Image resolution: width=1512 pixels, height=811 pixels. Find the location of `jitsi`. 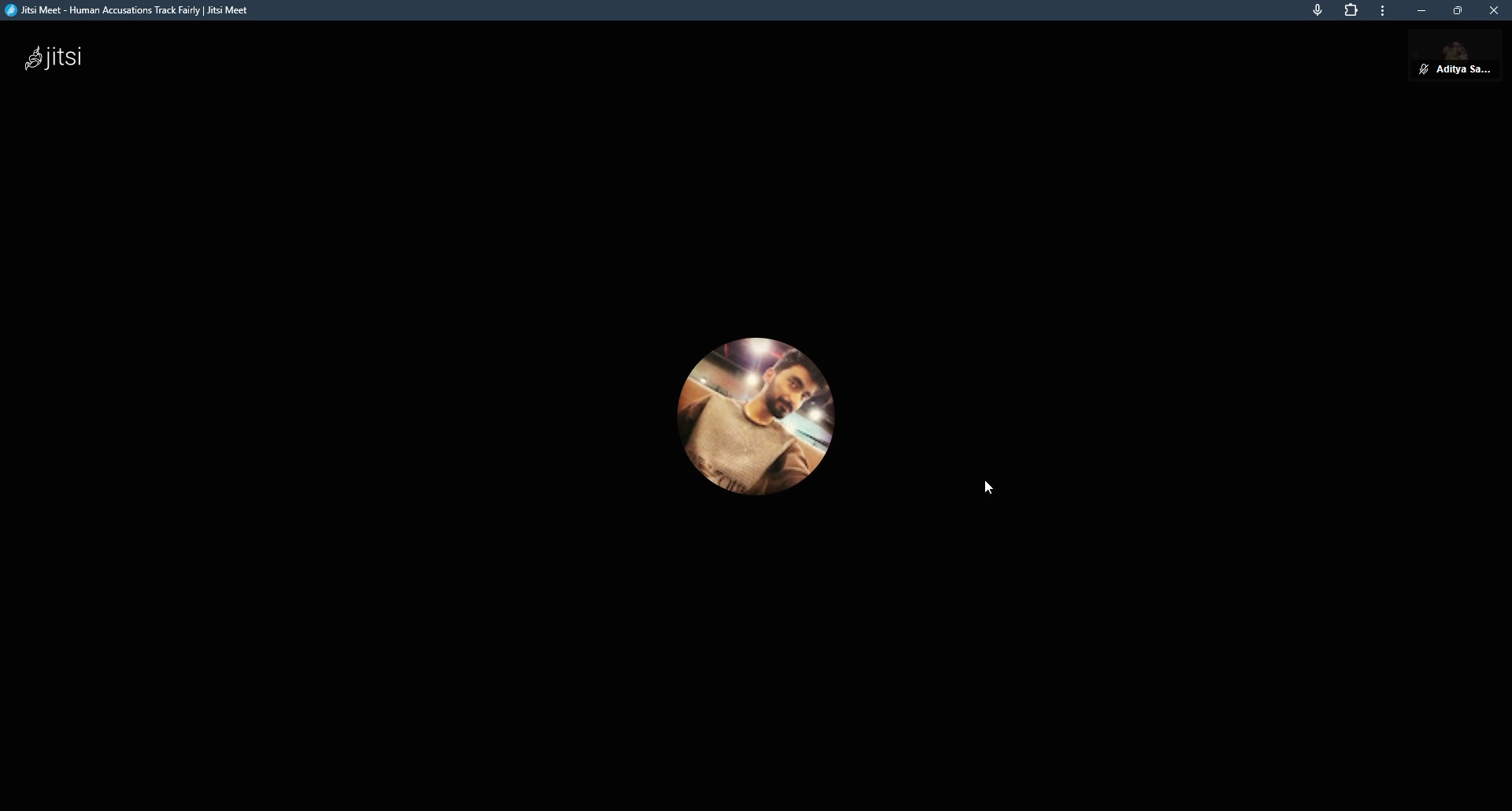

jitsi is located at coordinates (135, 10).